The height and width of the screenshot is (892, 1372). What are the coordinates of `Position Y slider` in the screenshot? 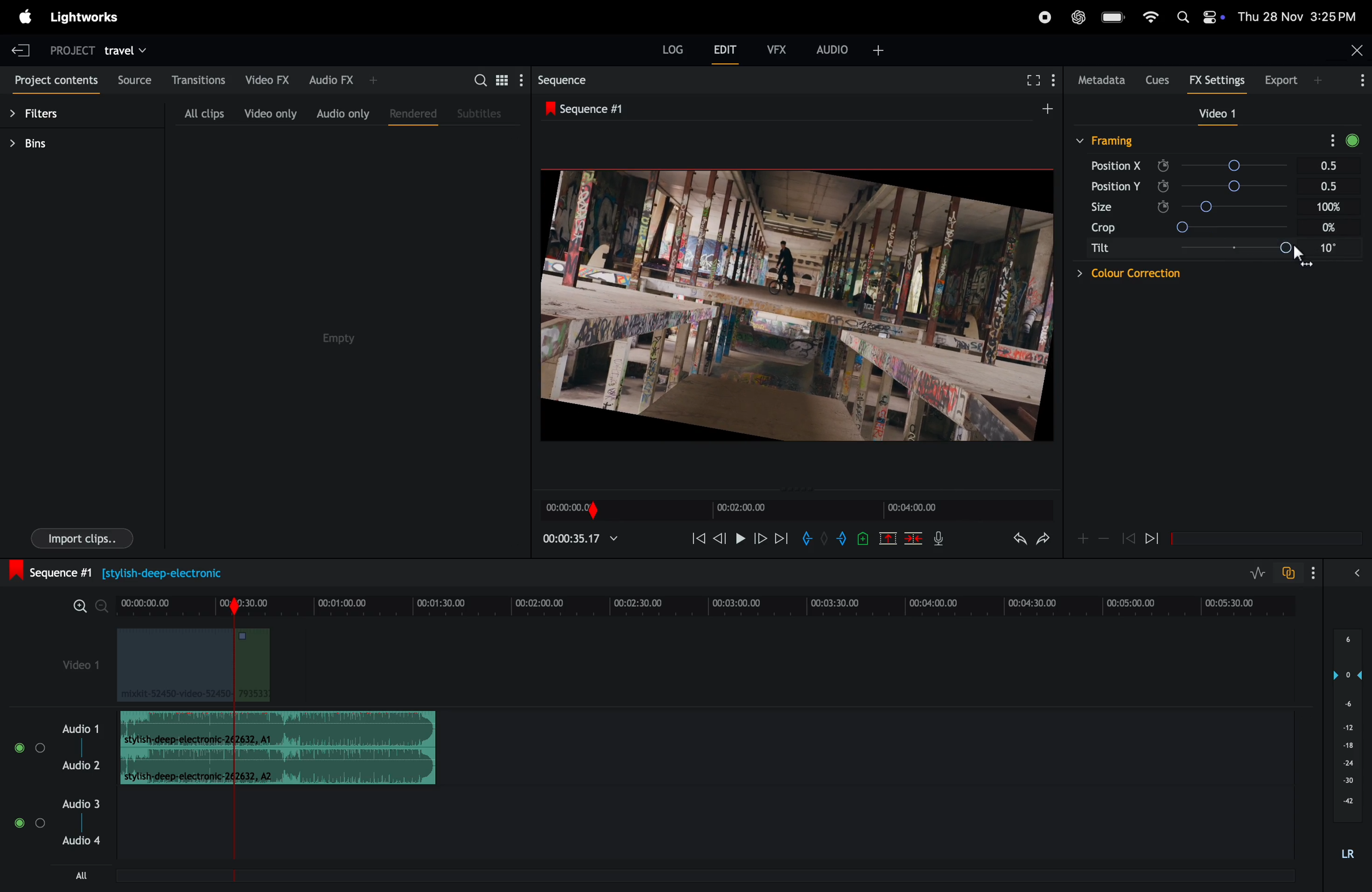 It's located at (1260, 187).